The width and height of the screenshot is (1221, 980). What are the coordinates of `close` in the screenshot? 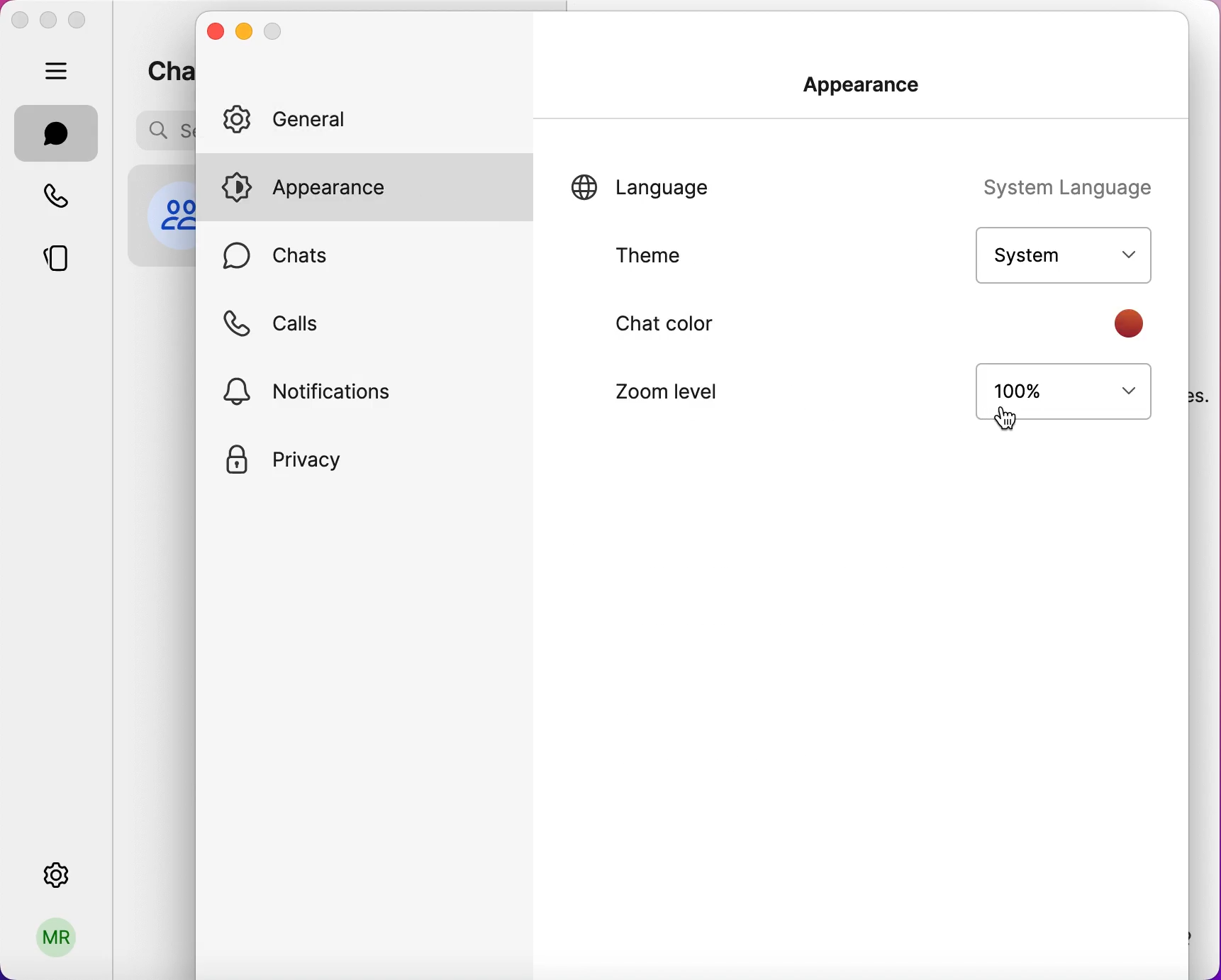 It's located at (20, 18).